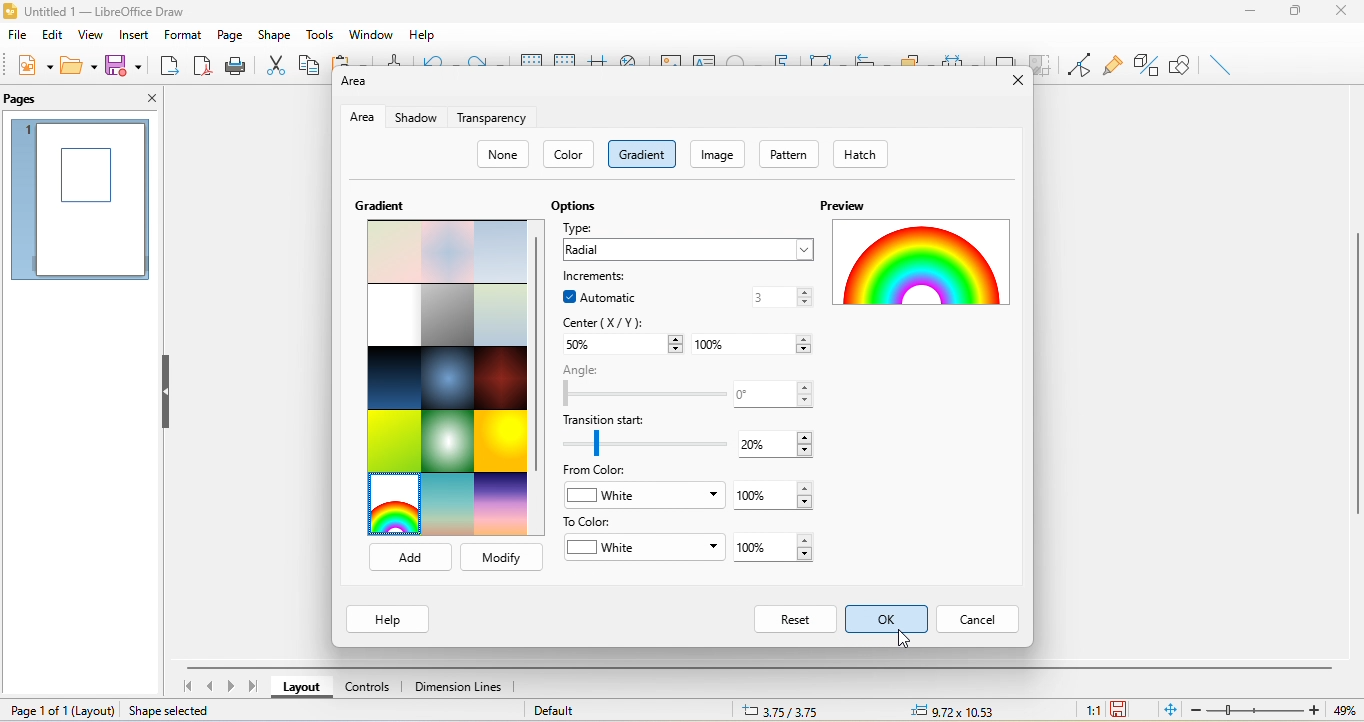 The height and width of the screenshot is (722, 1364). What do you see at coordinates (503, 151) in the screenshot?
I see `none` at bounding box center [503, 151].